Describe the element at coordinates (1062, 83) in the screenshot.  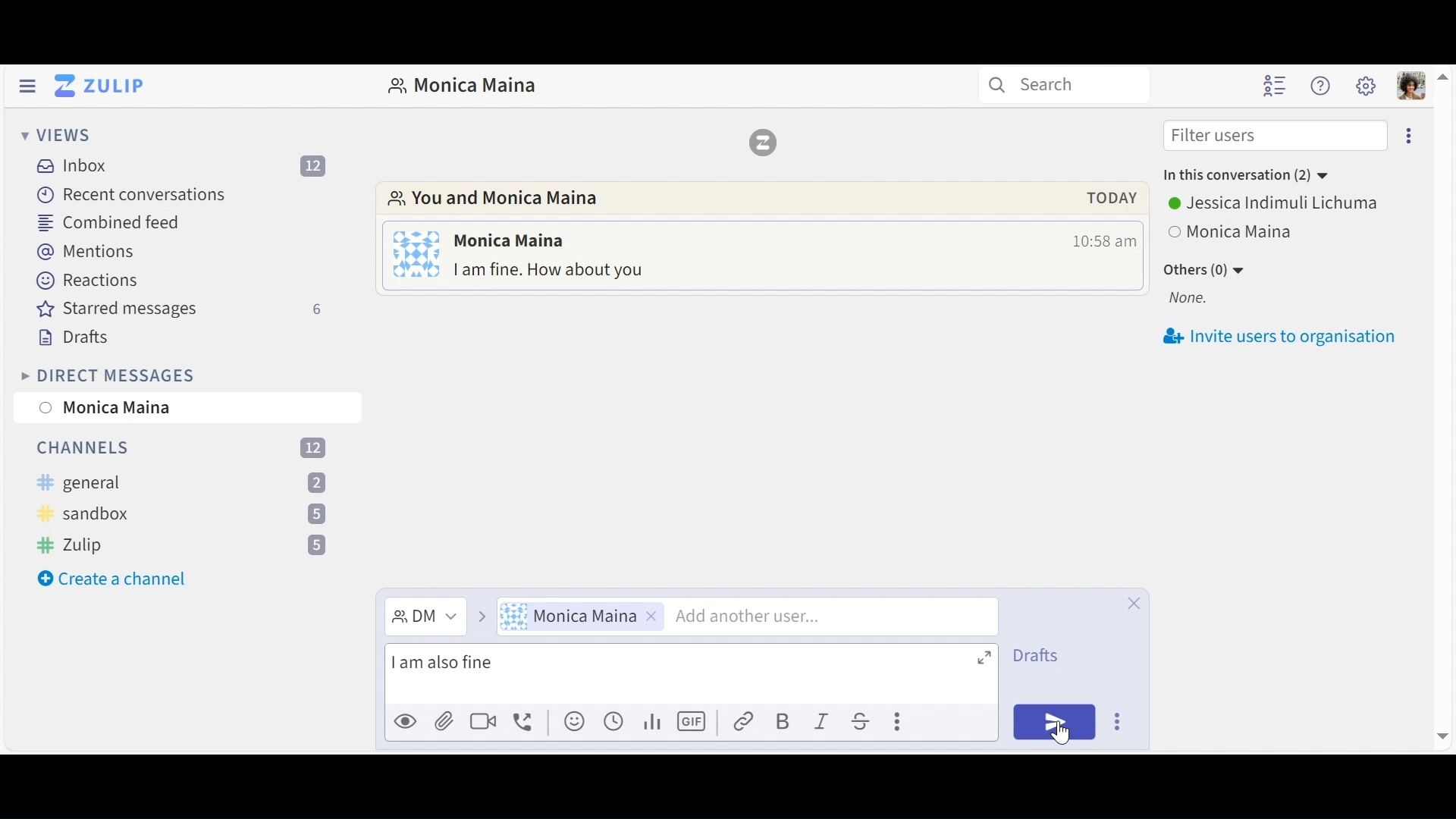
I see `Search` at that location.